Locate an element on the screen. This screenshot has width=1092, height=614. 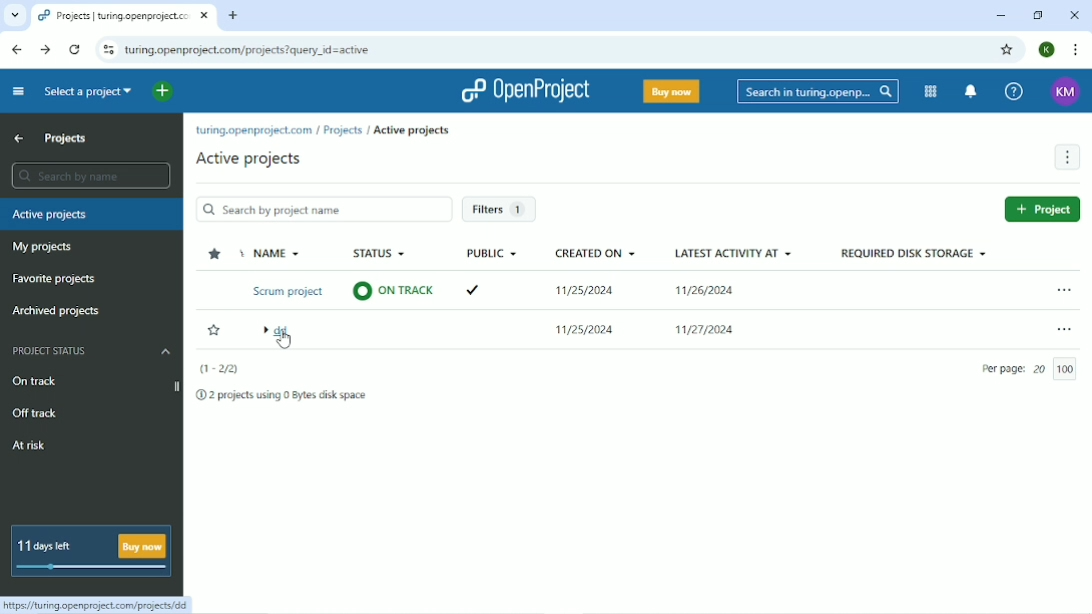
To notification center is located at coordinates (972, 91).